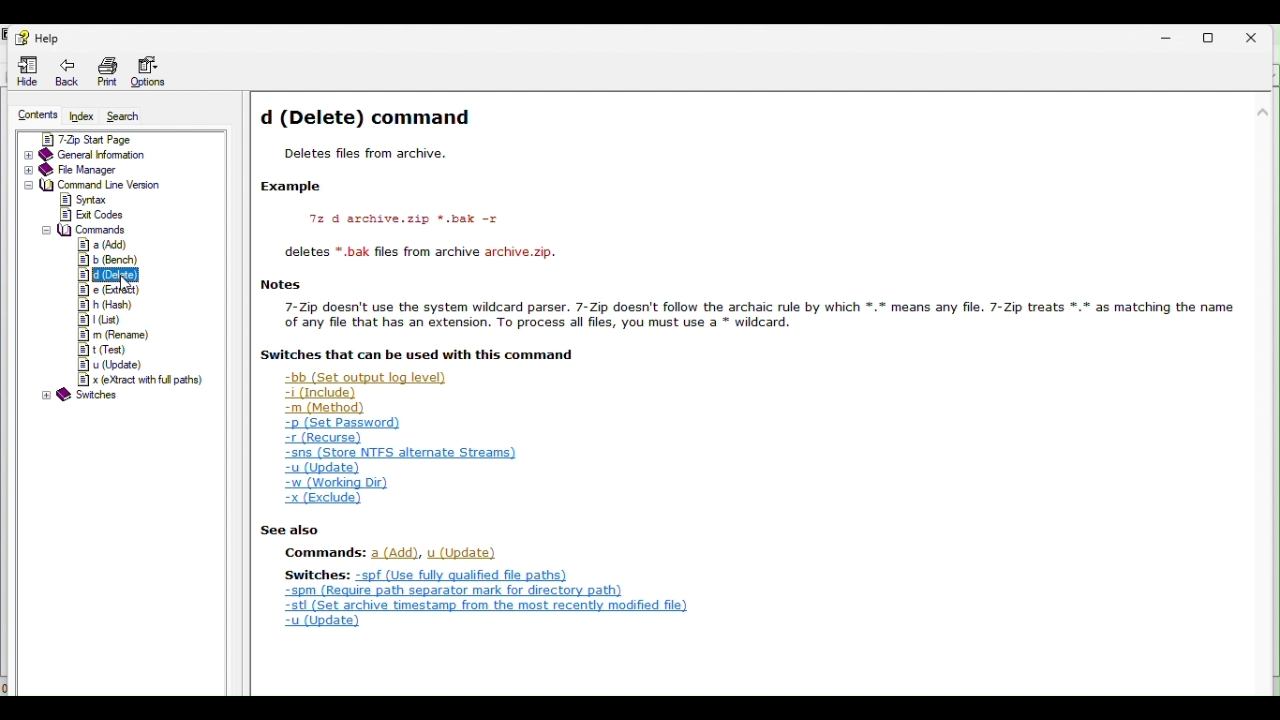  Describe the element at coordinates (87, 200) in the screenshot. I see `syntax` at that location.